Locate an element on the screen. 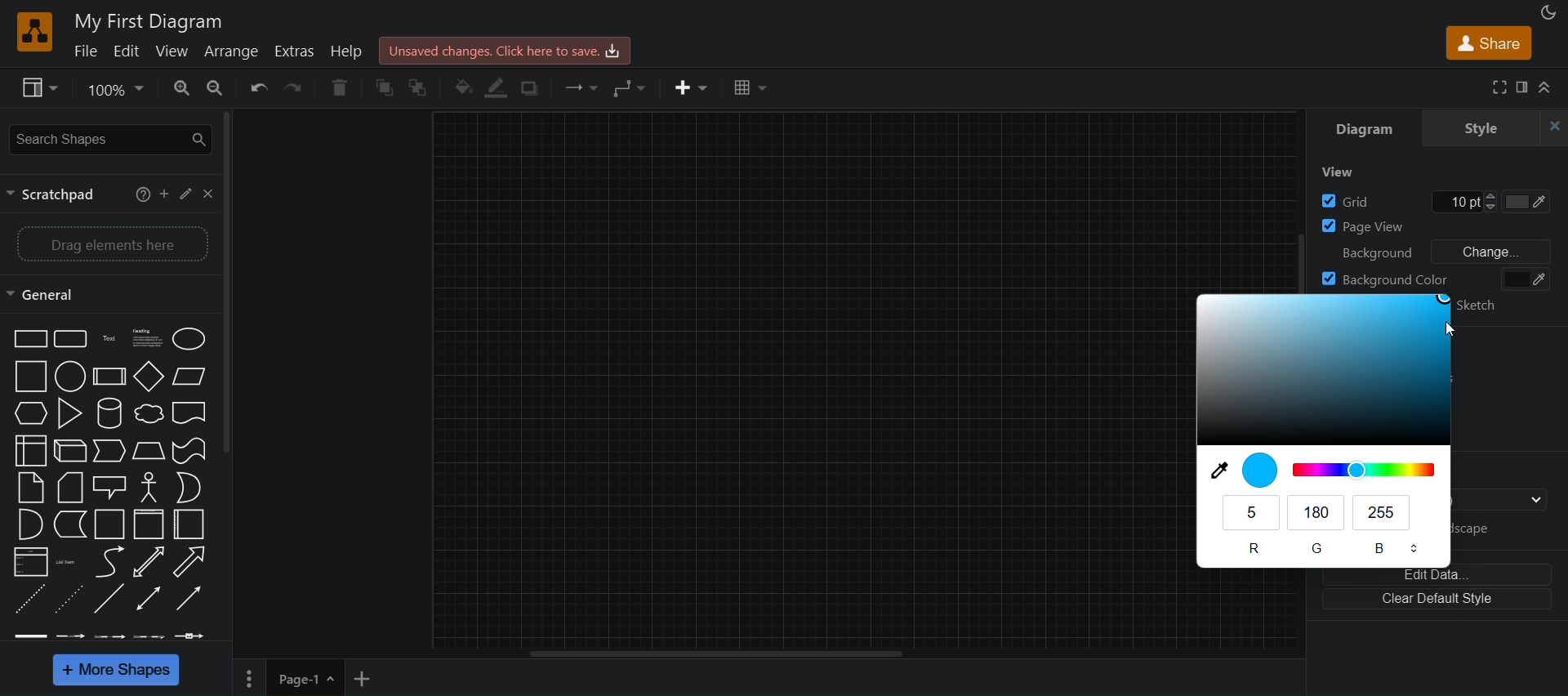 The height and width of the screenshot is (696, 1568). linecolor is located at coordinates (497, 90).